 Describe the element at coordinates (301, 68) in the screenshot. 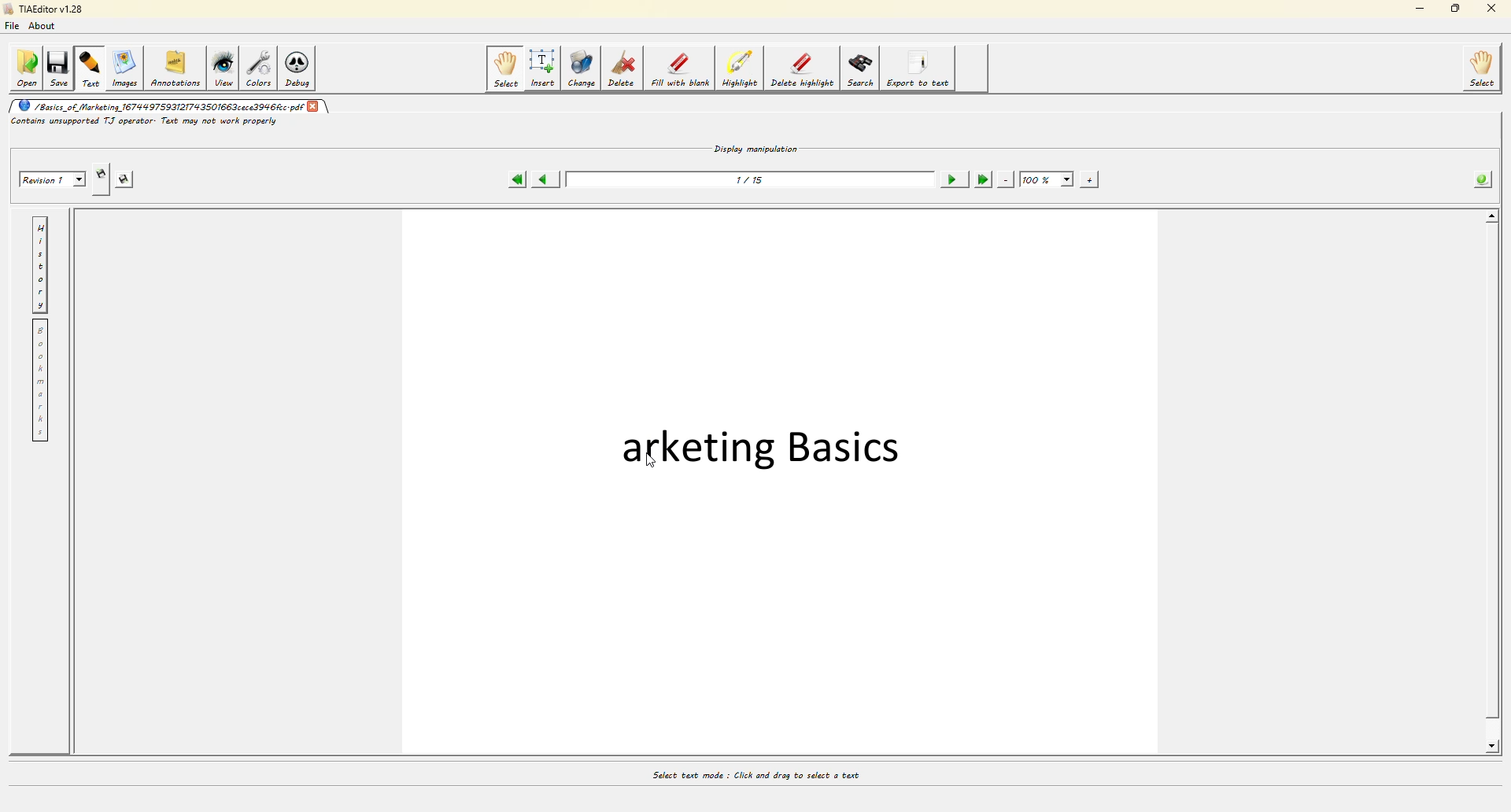

I see `debug` at that location.